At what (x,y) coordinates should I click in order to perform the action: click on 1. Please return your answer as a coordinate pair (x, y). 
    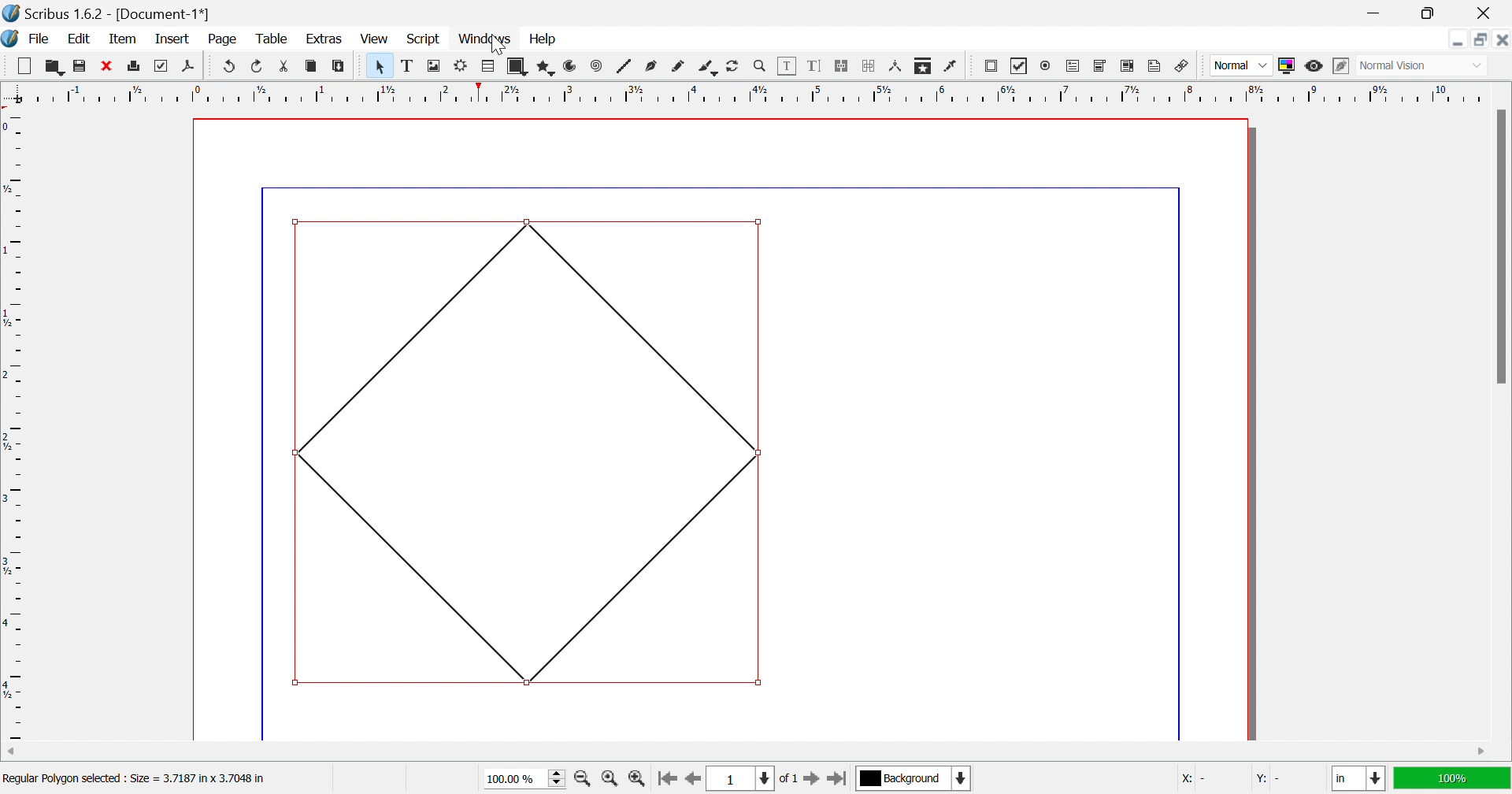
    Looking at the image, I should click on (738, 779).